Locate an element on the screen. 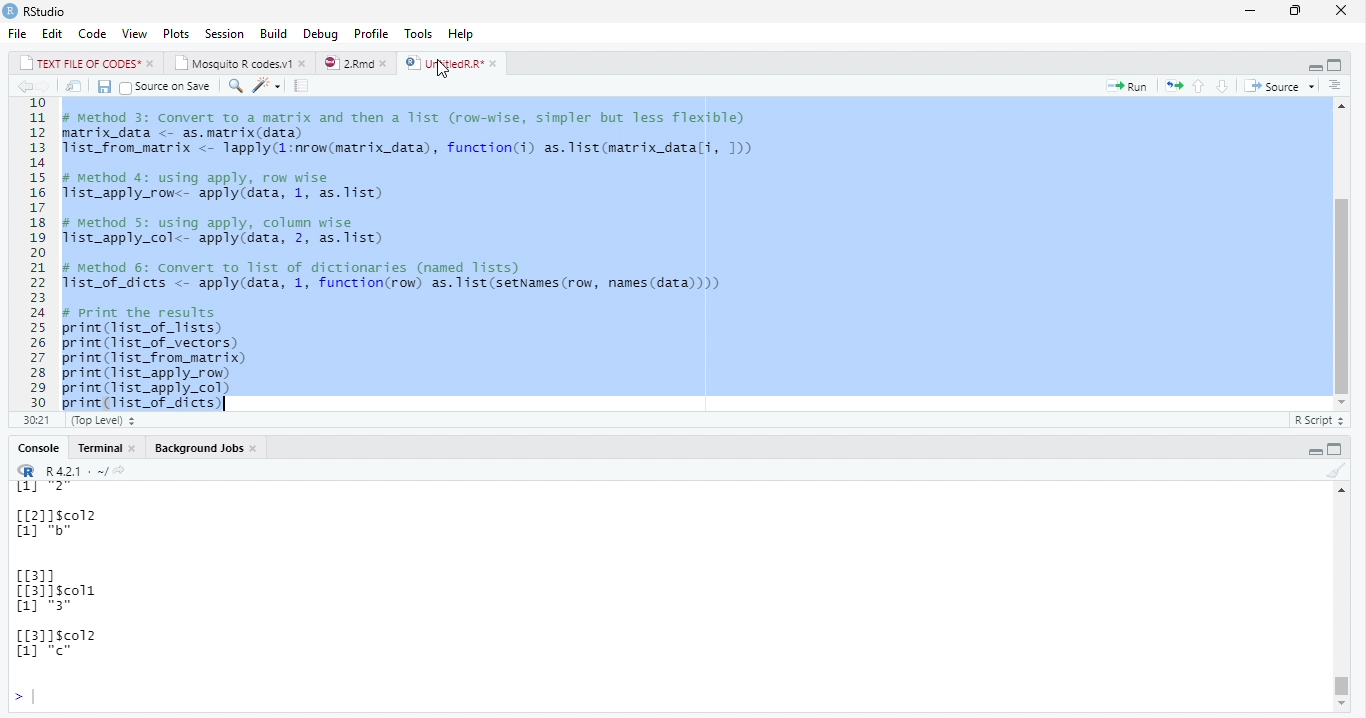 This screenshot has width=1366, height=718. File is located at coordinates (20, 33).